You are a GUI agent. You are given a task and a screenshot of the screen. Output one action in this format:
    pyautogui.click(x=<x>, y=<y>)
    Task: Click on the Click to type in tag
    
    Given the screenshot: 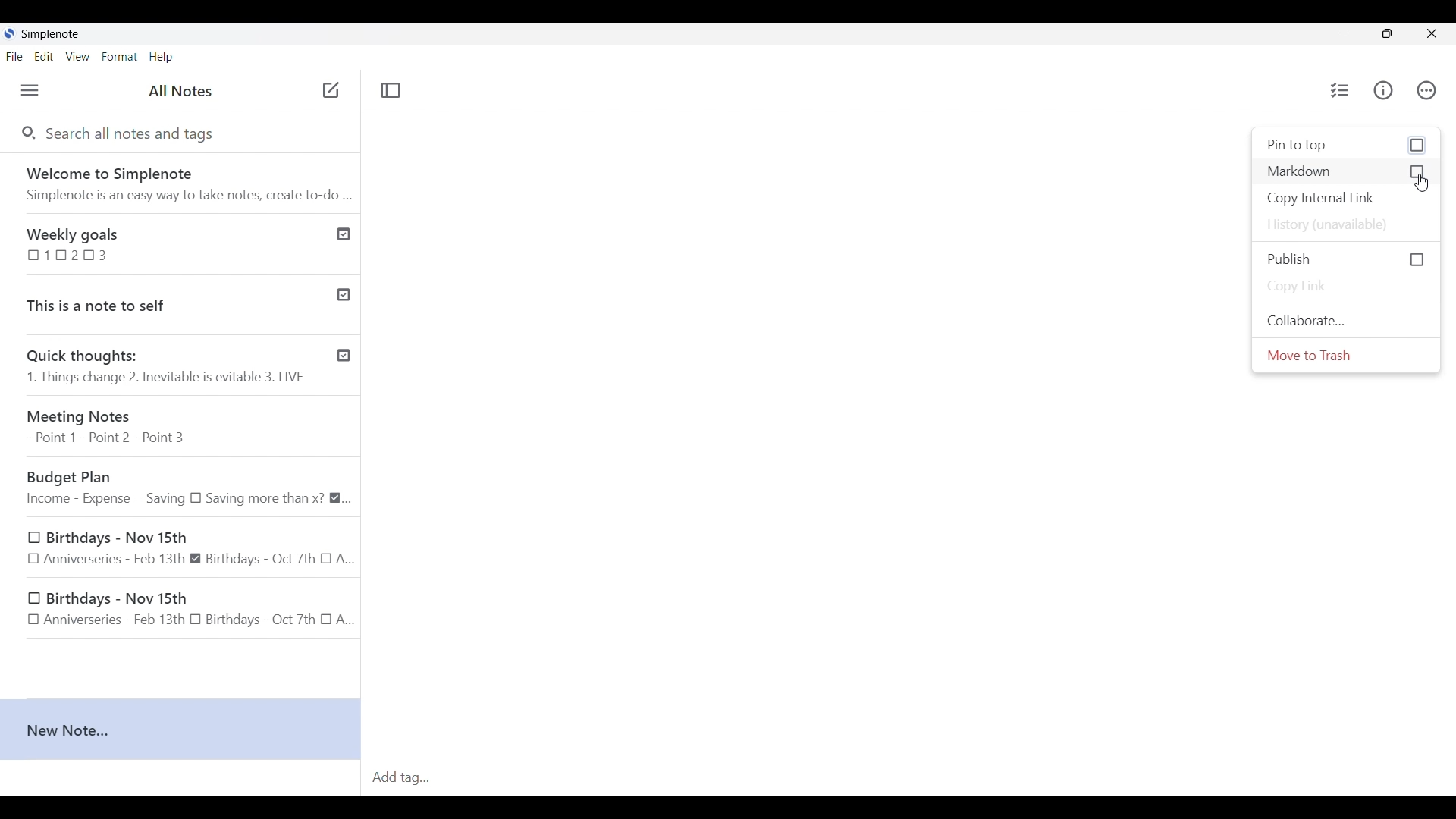 What is the action you would take?
    pyautogui.click(x=910, y=778)
    